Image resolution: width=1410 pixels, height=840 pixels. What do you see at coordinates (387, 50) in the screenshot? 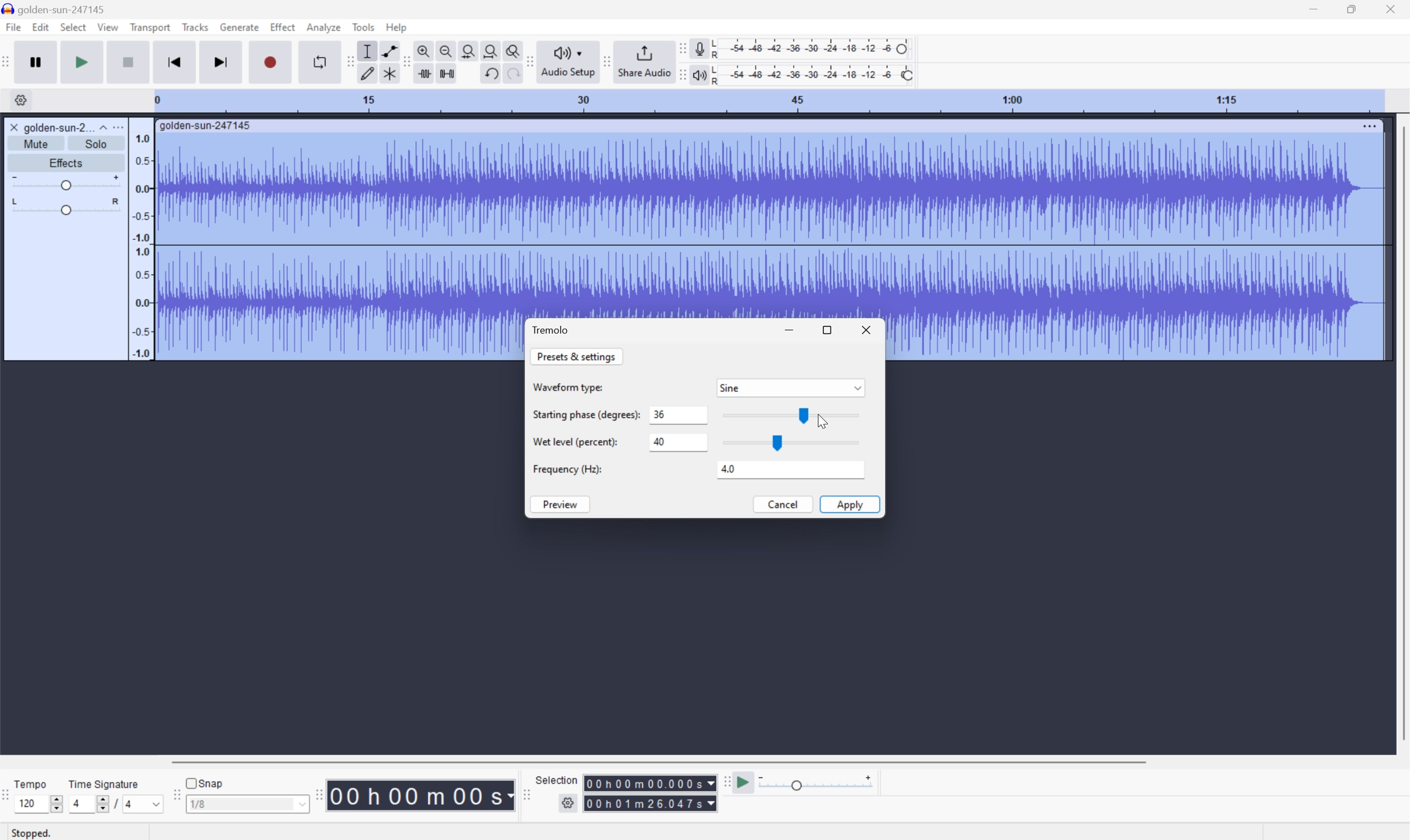
I see `Envelop tool` at bounding box center [387, 50].